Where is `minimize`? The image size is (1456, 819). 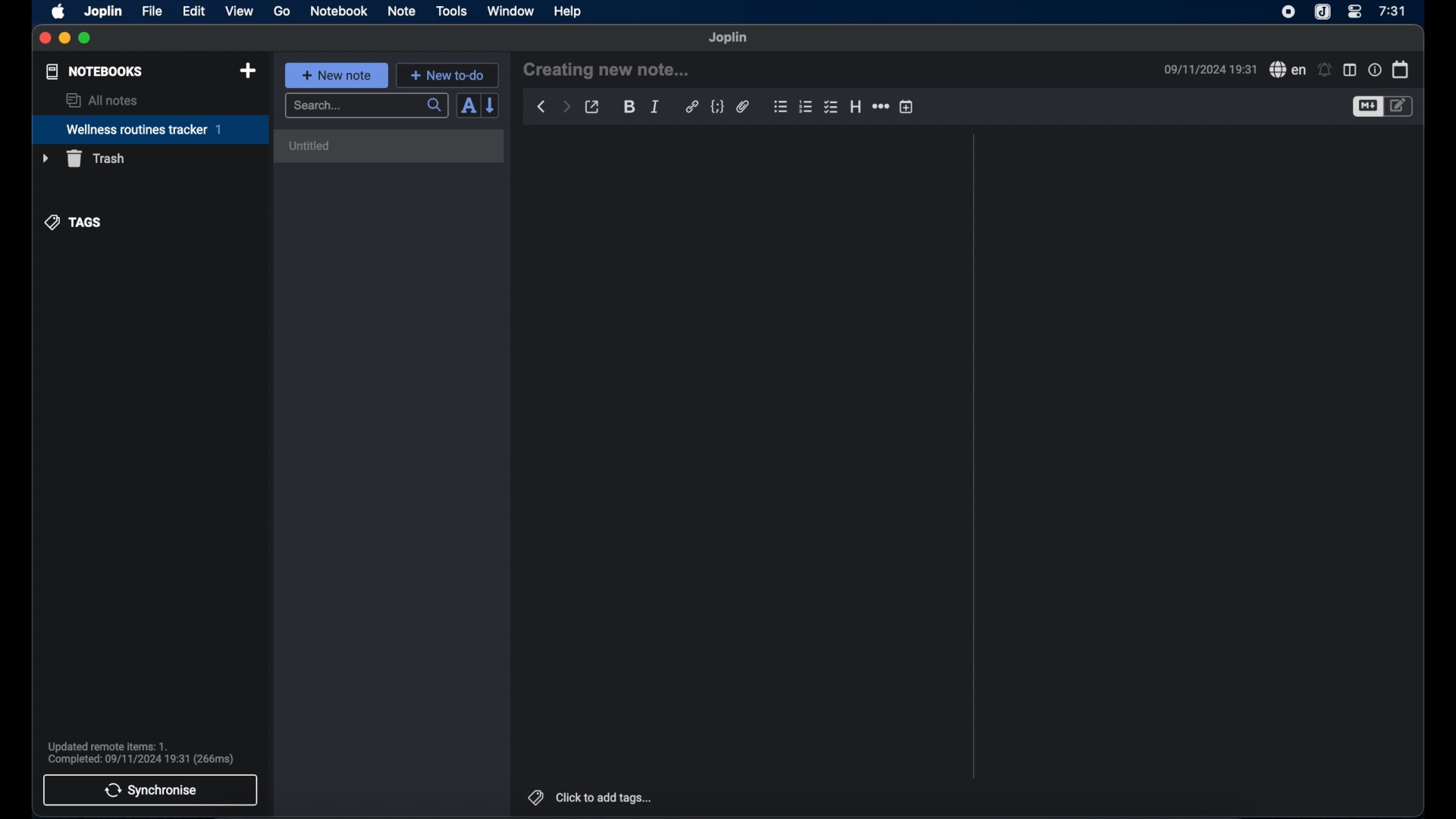
minimize is located at coordinates (65, 39).